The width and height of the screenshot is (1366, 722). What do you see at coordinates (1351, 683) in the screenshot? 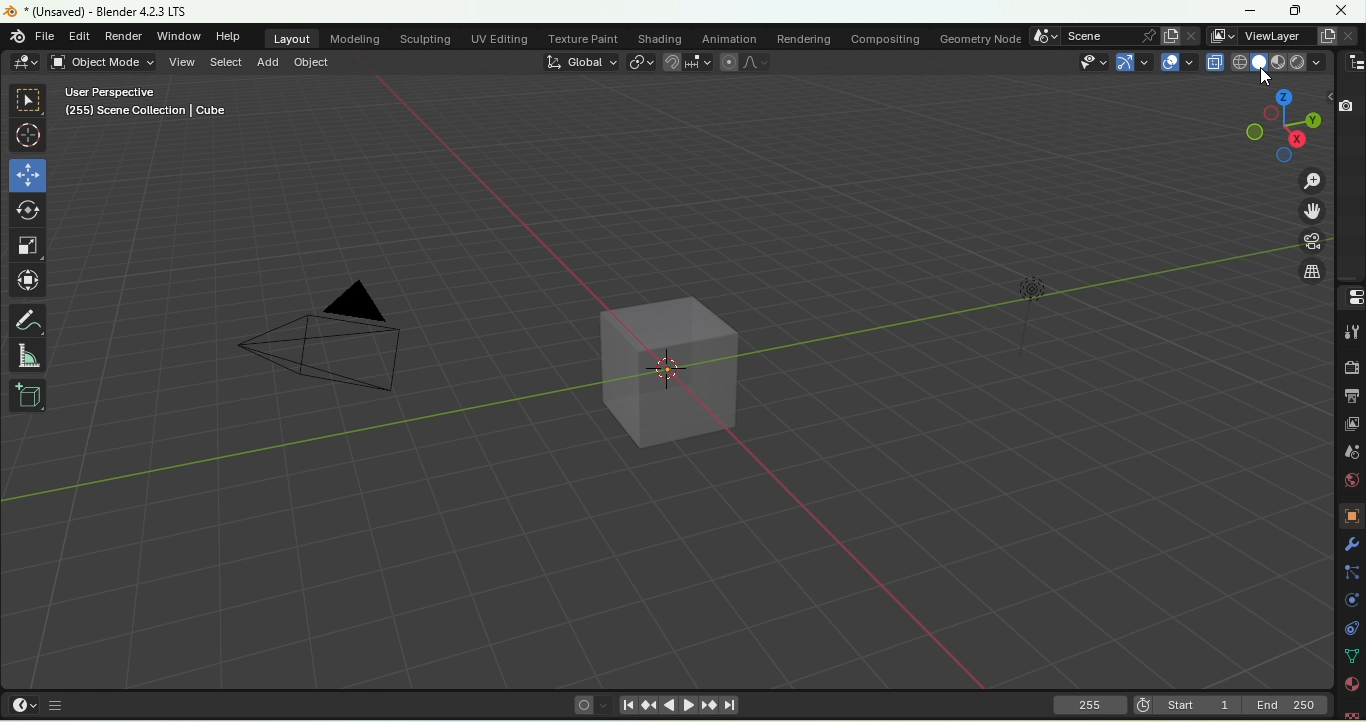
I see `Material` at bounding box center [1351, 683].